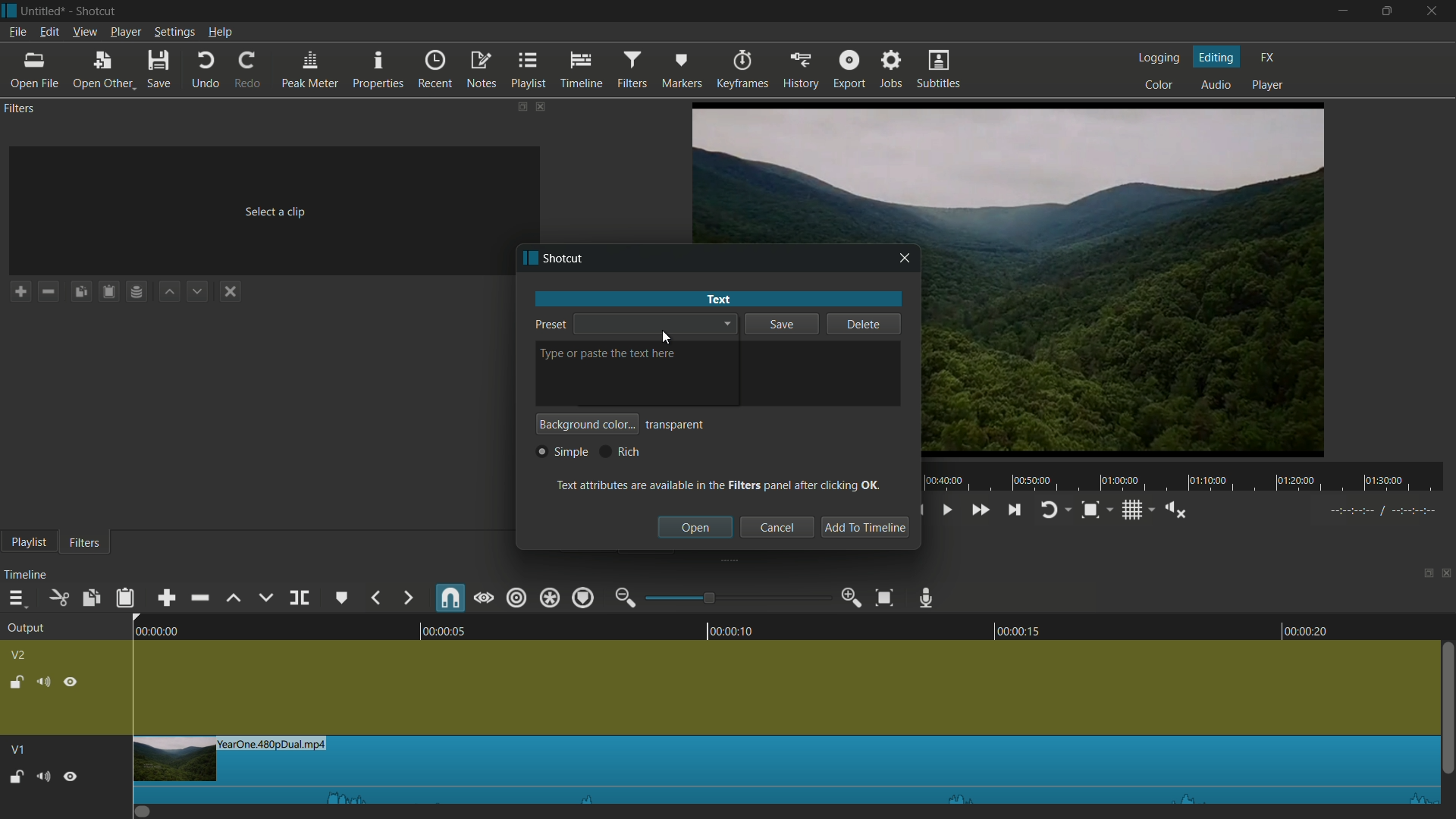 The width and height of the screenshot is (1456, 819). What do you see at coordinates (1346, 11) in the screenshot?
I see `minimize` at bounding box center [1346, 11].